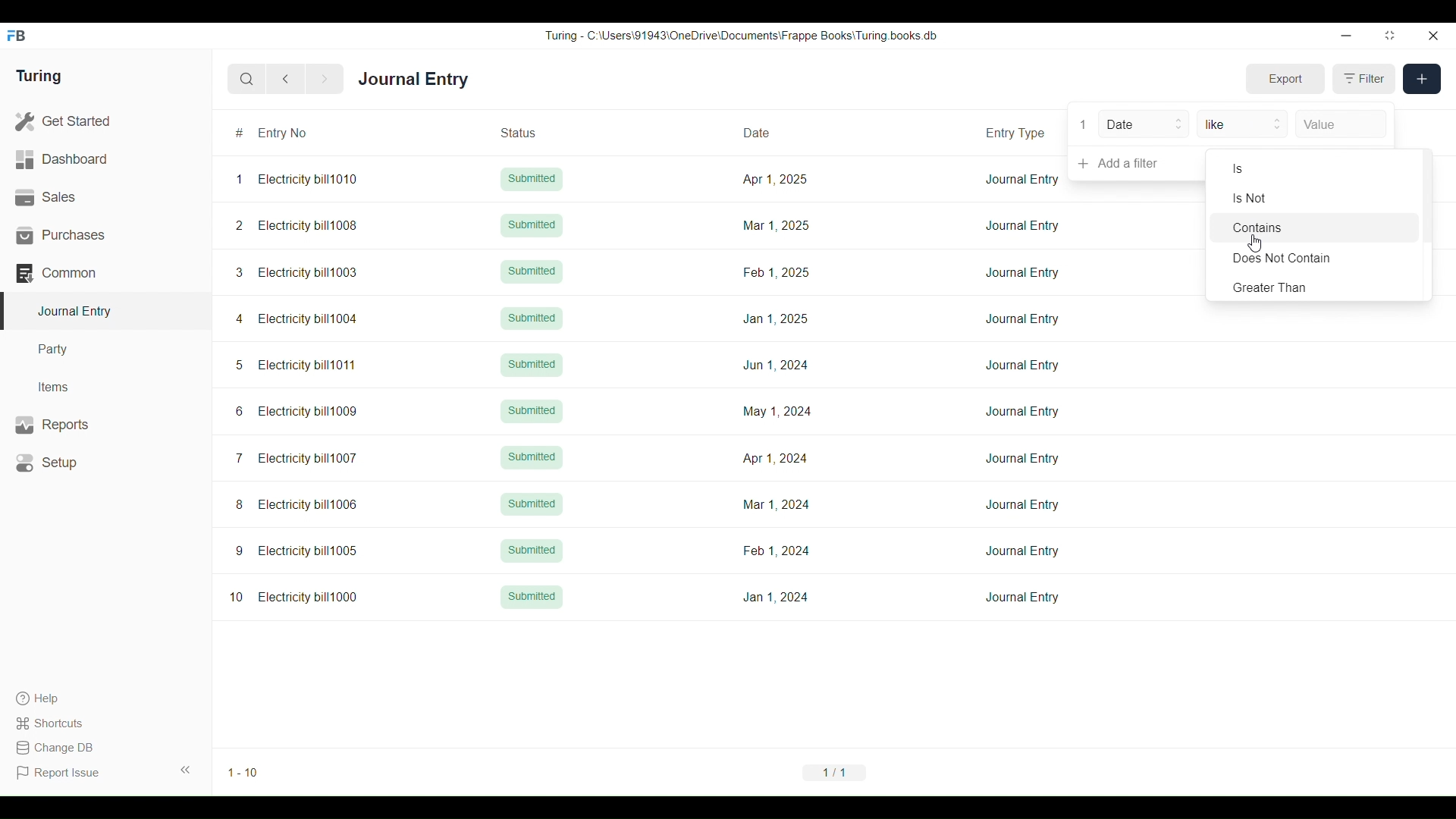 The height and width of the screenshot is (819, 1456). What do you see at coordinates (536, 132) in the screenshot?
I see `Status` at bounding box center [536, 132].